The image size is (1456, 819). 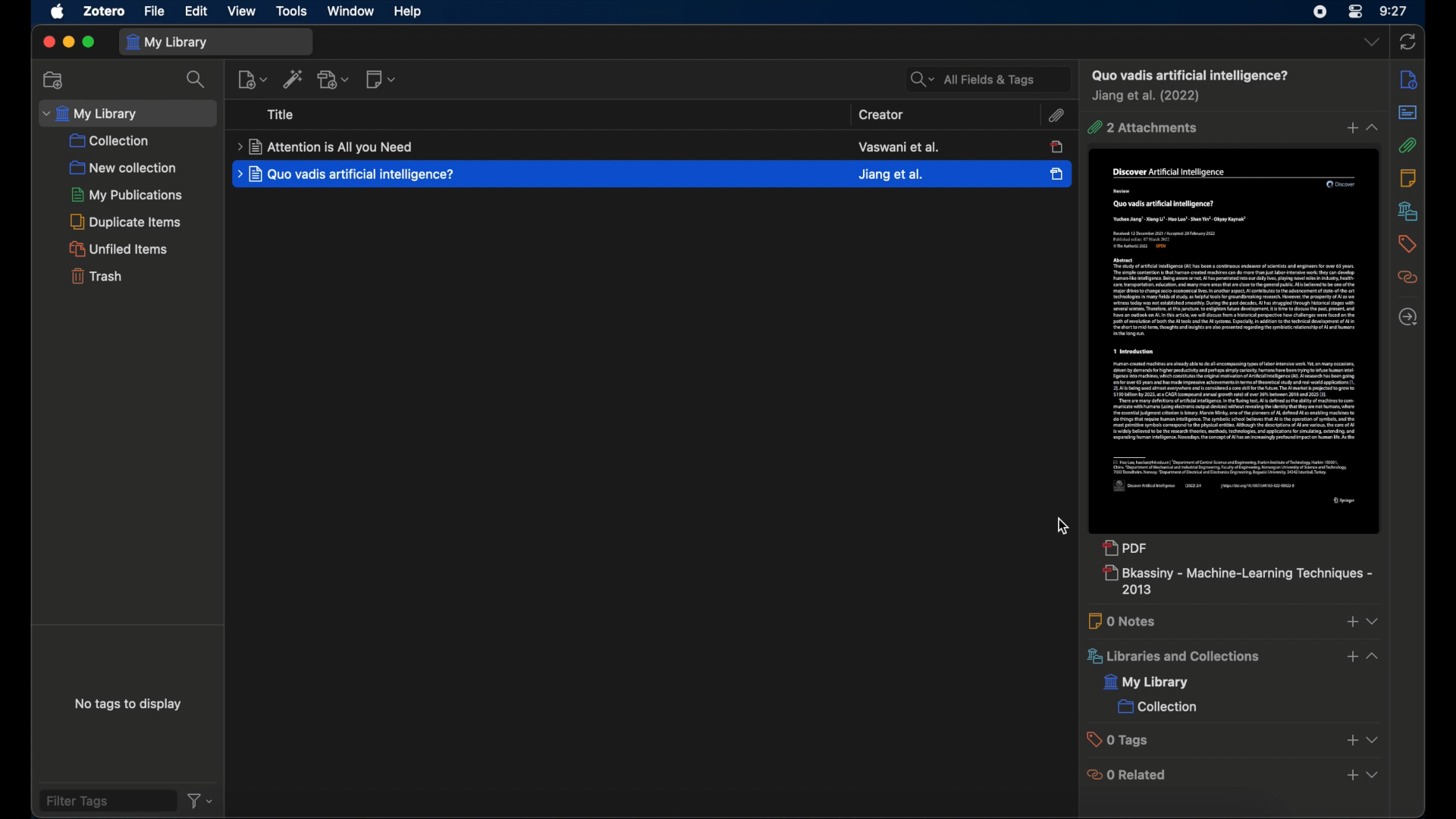 I want to click on pdf, so click(x=1126, y=551).